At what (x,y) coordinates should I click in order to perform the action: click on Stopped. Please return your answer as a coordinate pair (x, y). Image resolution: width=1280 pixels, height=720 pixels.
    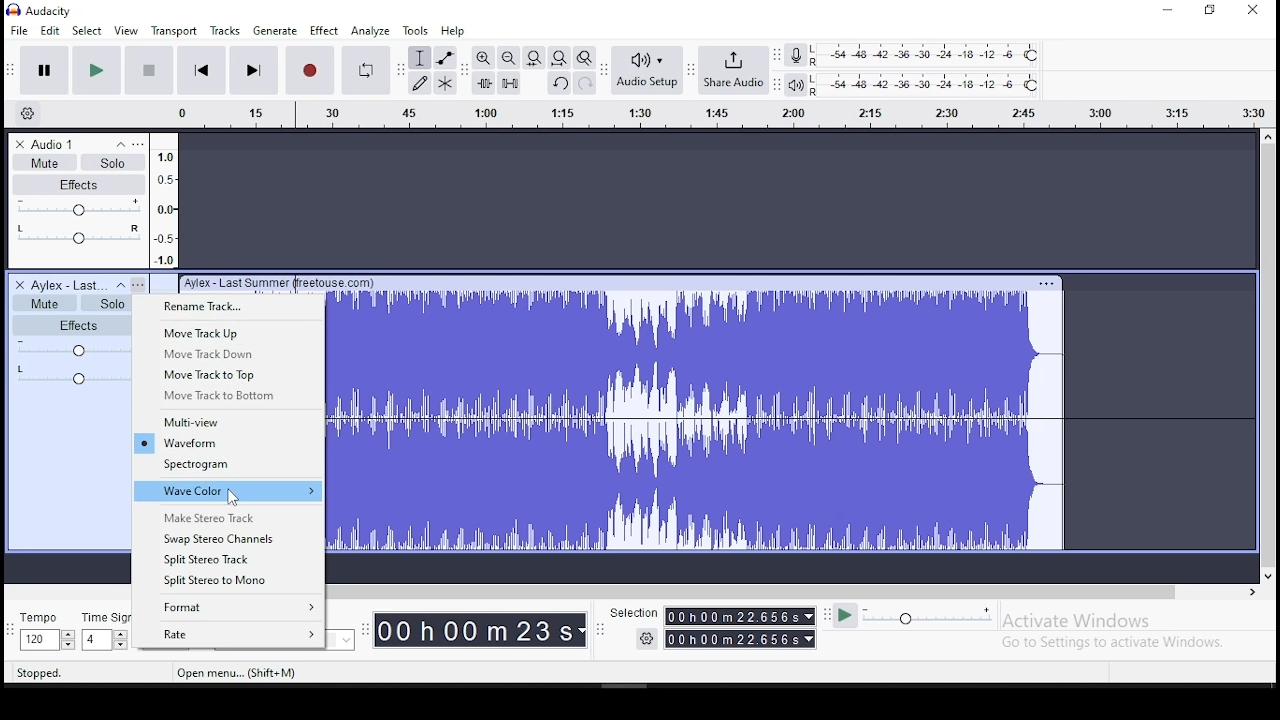
    Looking at the image, I should click on (40, 674).